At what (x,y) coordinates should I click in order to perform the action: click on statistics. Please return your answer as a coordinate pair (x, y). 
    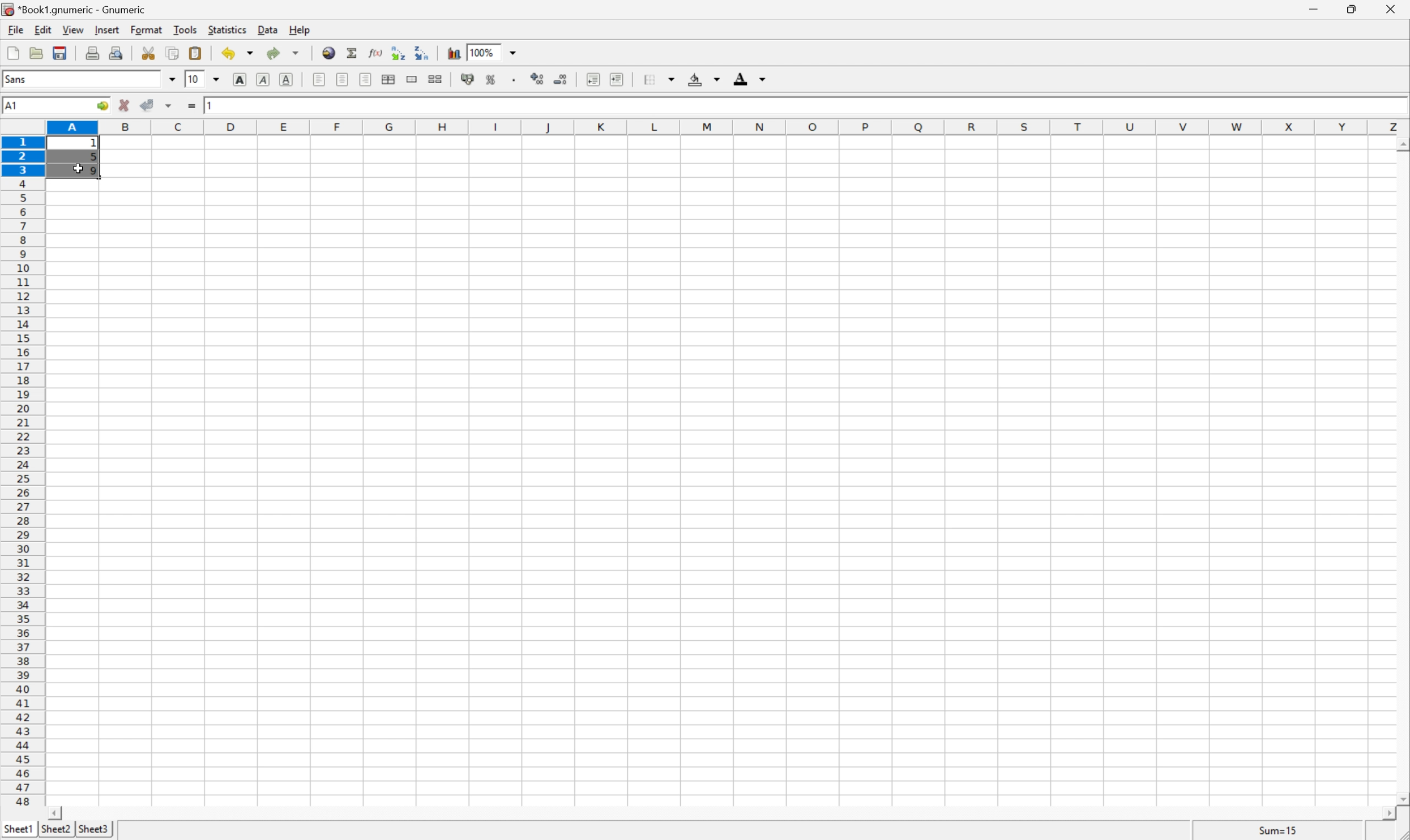
    Looking at the image, I should click on (226, 29).